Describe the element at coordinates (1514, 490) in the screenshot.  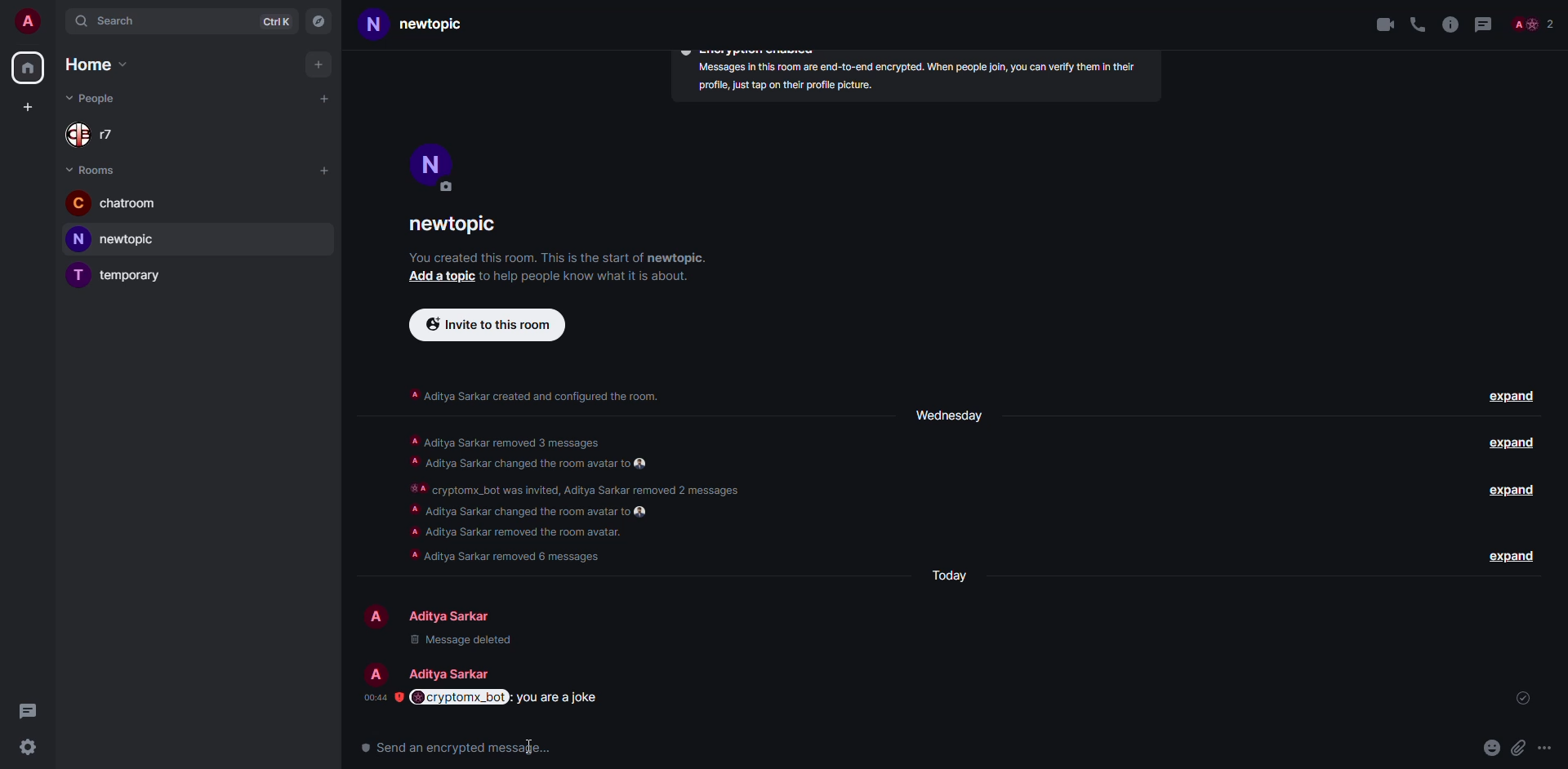
I see `expand` at that location.